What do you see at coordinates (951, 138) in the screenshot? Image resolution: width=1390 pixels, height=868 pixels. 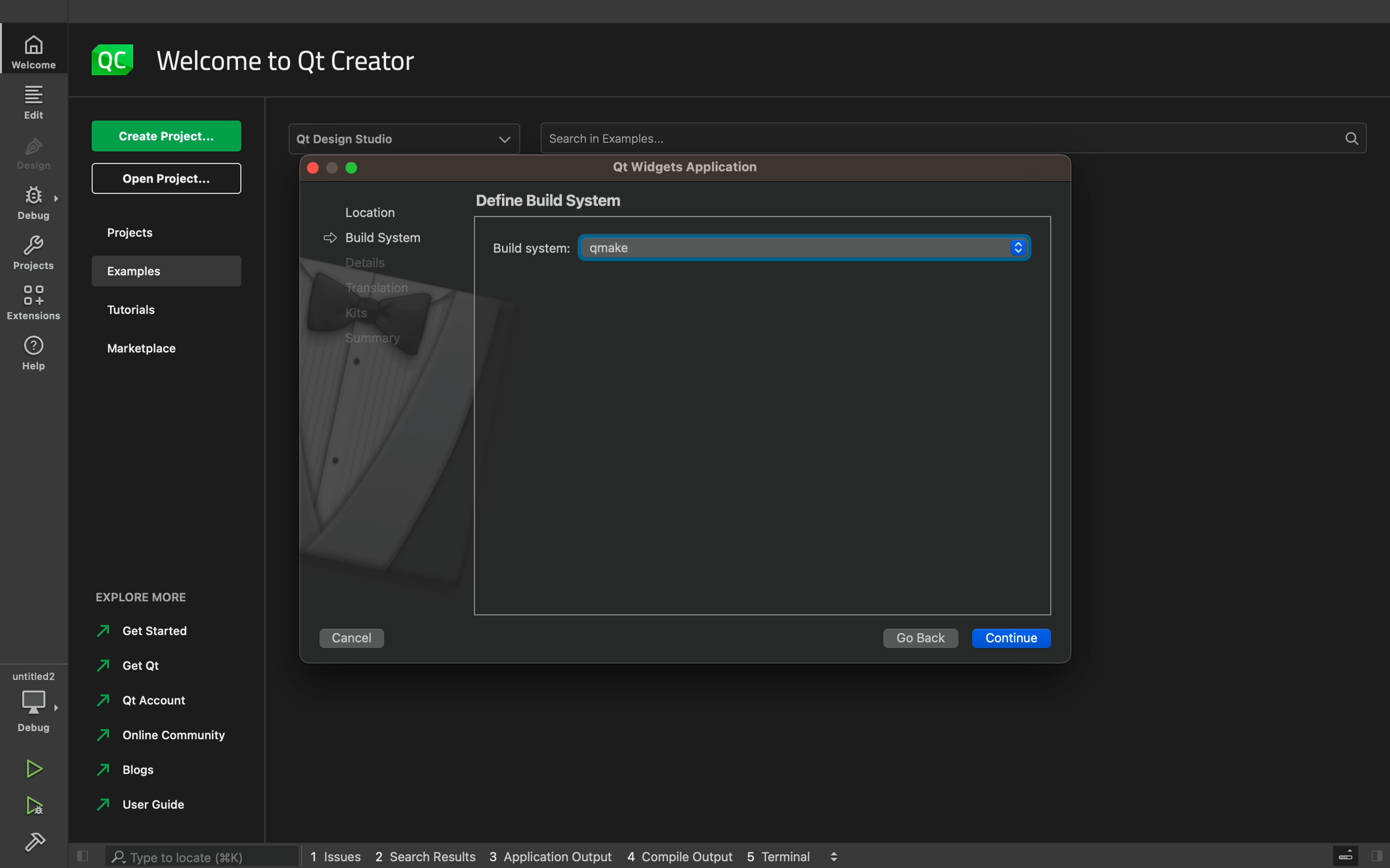 I see `Search in examples` at bounding box center [951, 138].